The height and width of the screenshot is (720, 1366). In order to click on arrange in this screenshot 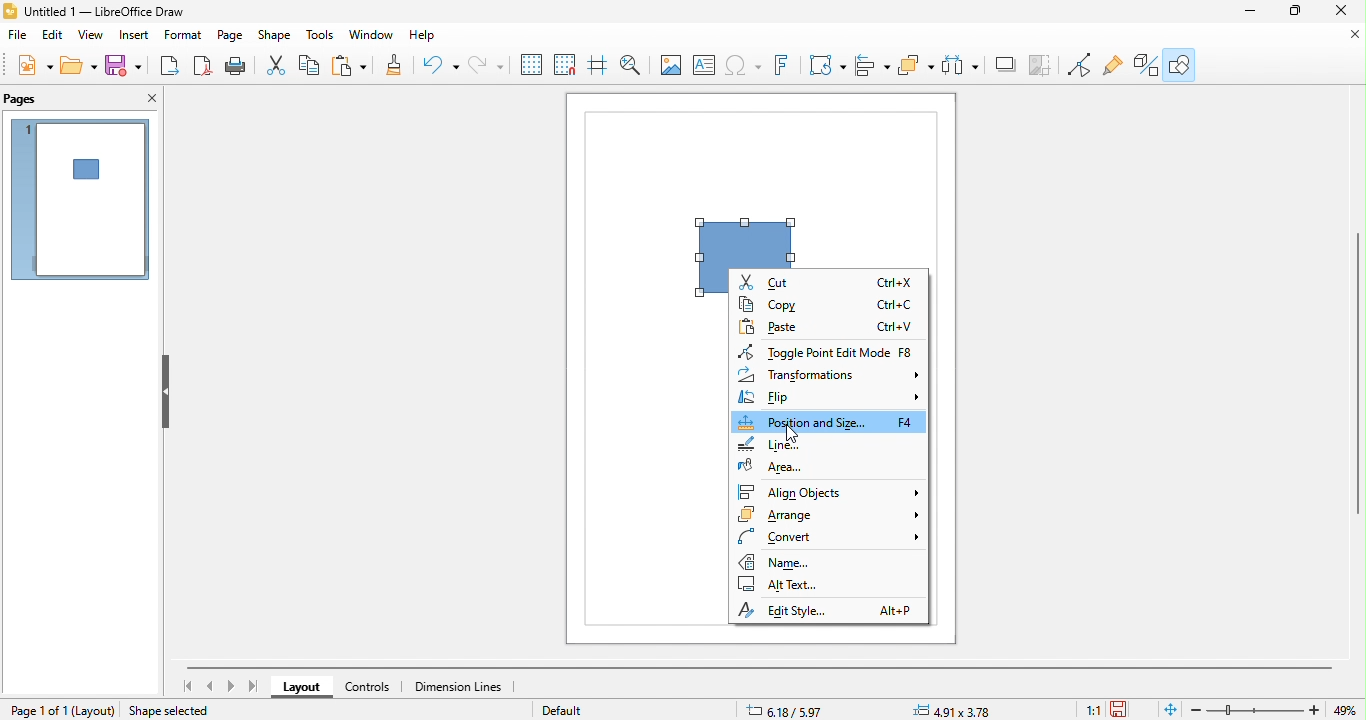, I will do `click(828, 515)`.